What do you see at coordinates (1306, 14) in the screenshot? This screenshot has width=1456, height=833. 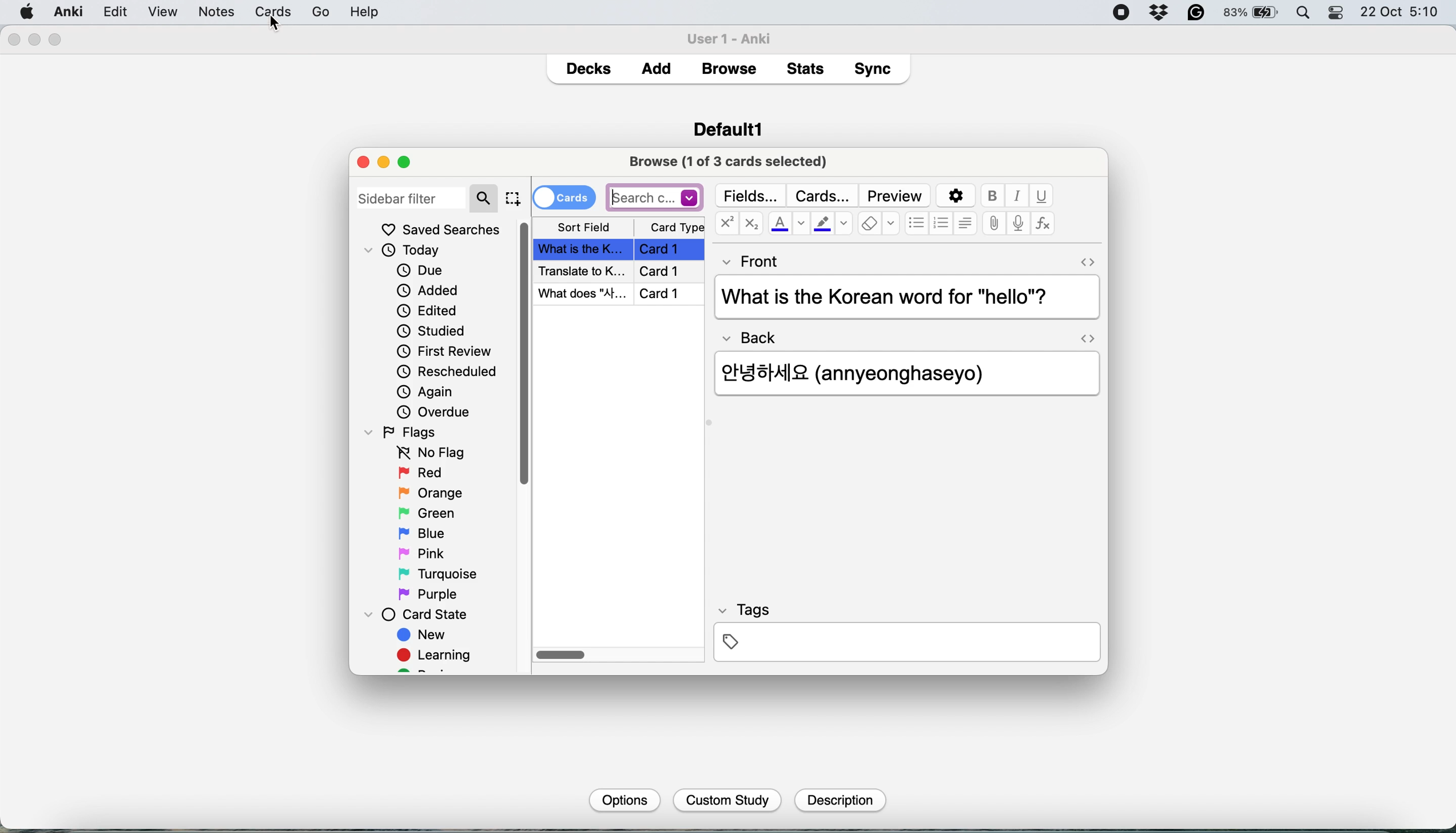 I see `spotlight search` at bounding box center [1306, 14].